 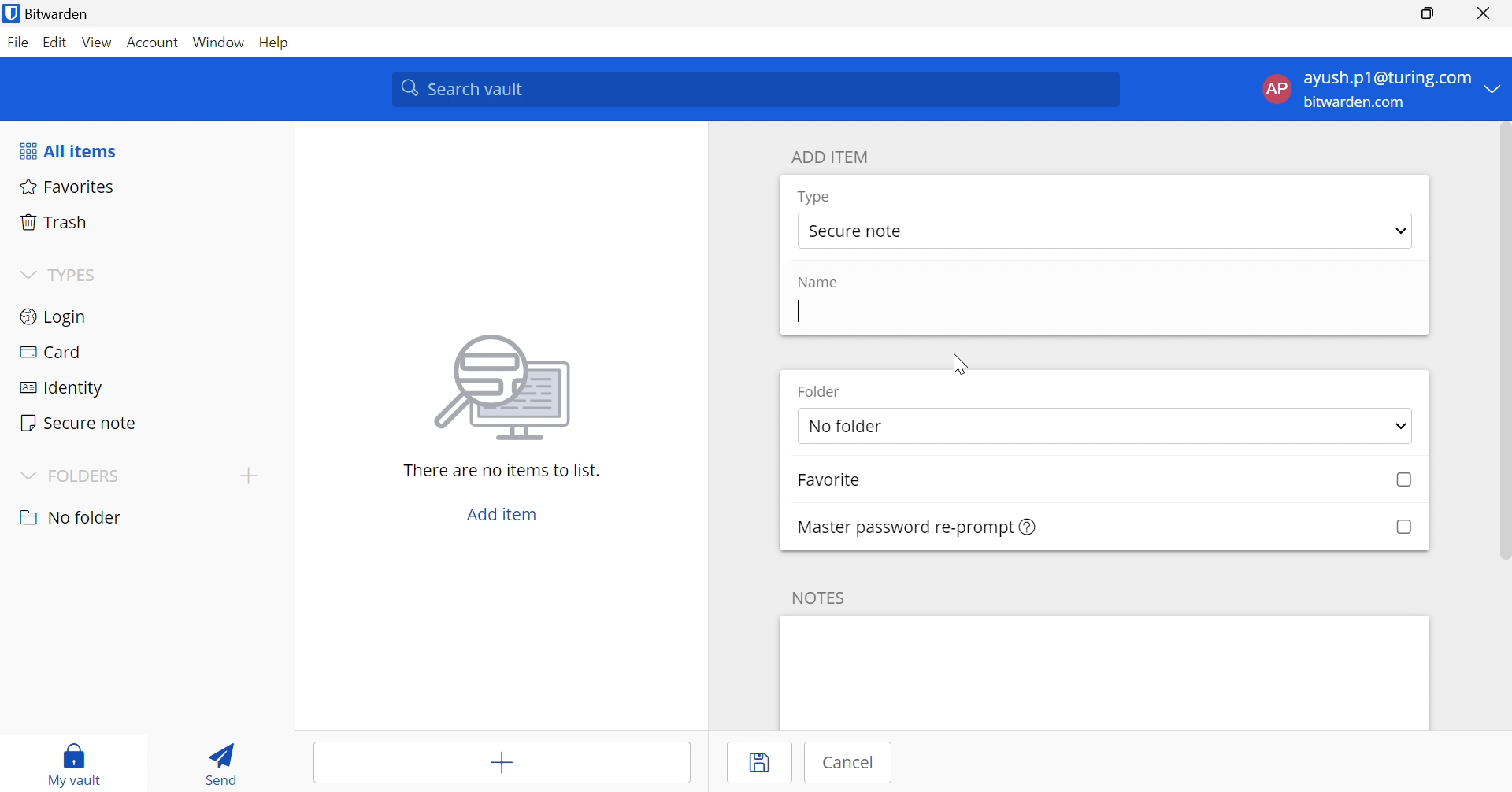 I want to click on Checkbox, so click(x=1405, y=482).